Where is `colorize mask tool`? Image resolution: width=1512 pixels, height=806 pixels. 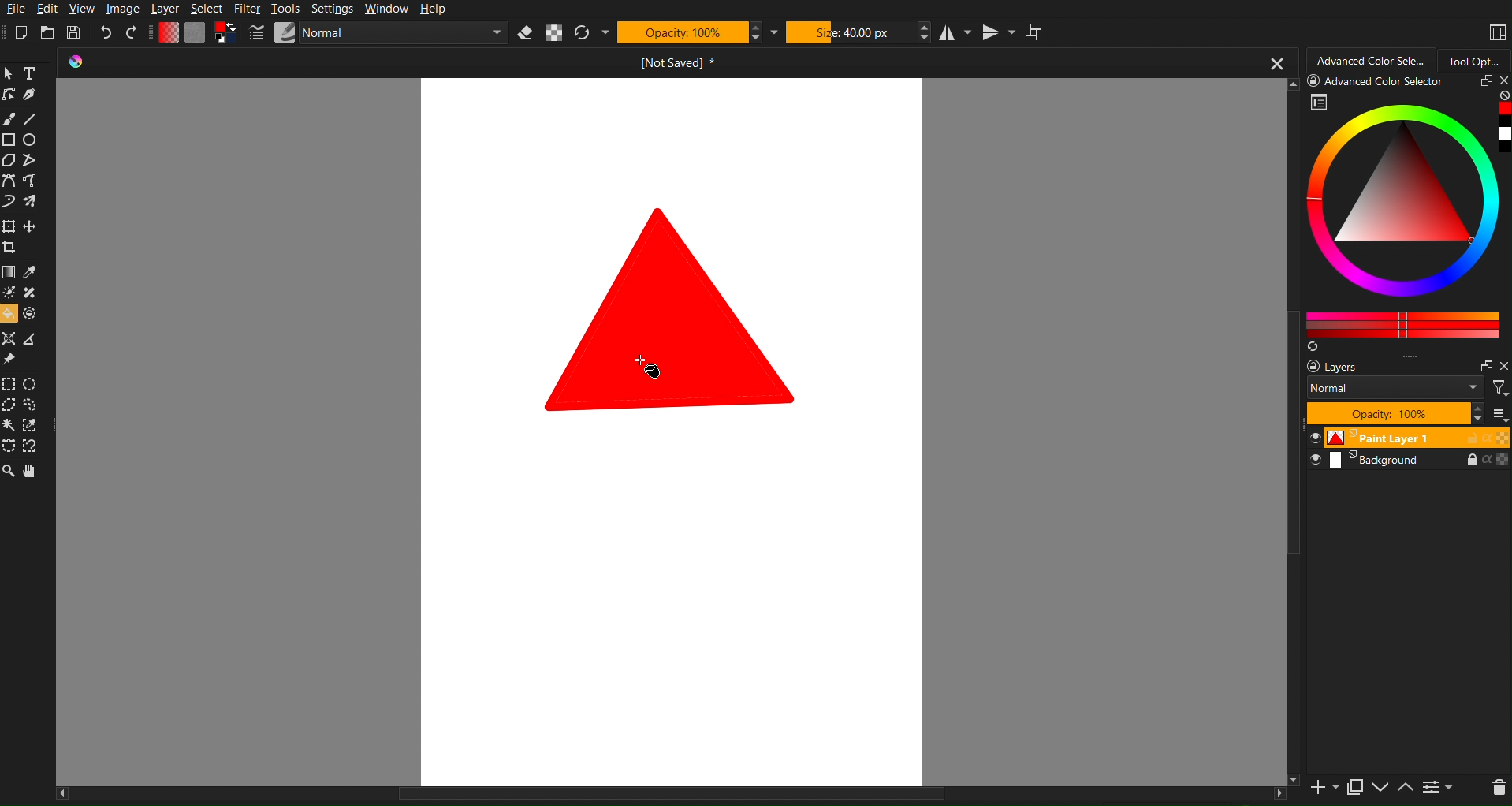
colorize mask tool is located at coordinates (12, 293).